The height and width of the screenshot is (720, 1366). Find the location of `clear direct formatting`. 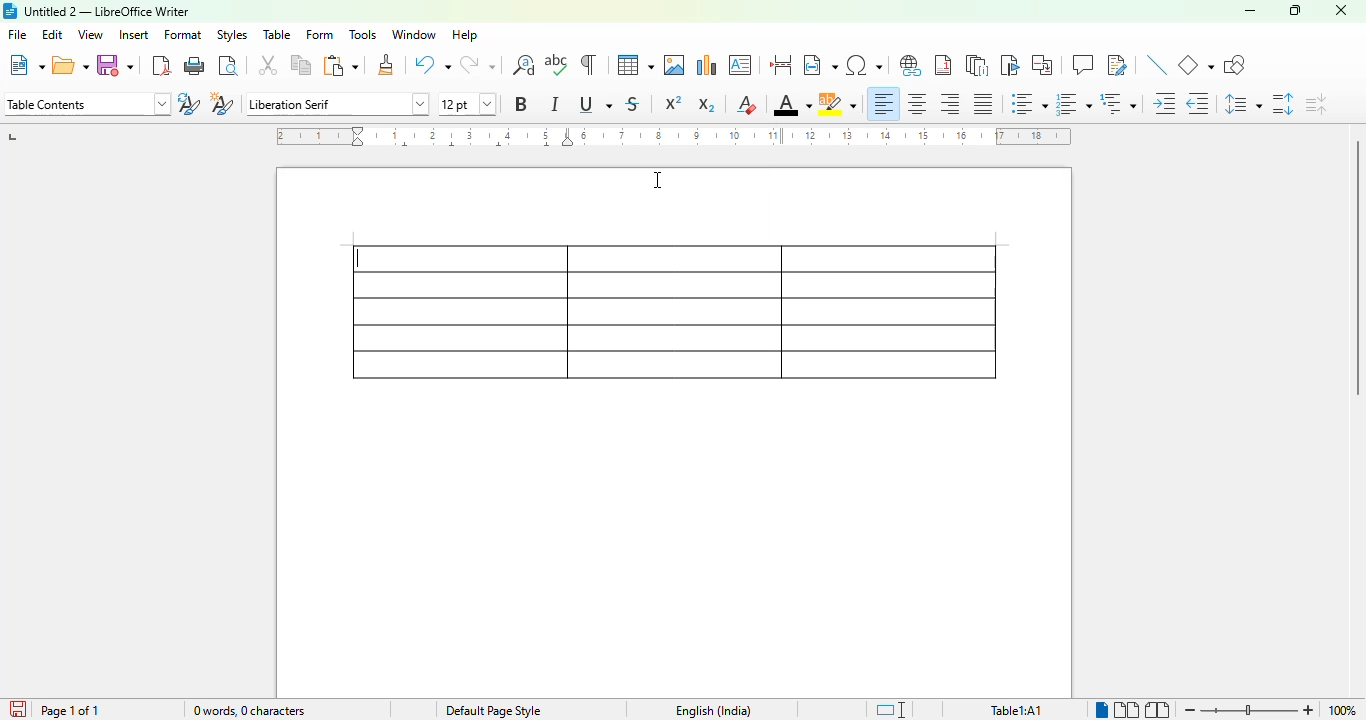

clear direct formatting is located at coordinates (746, 104).